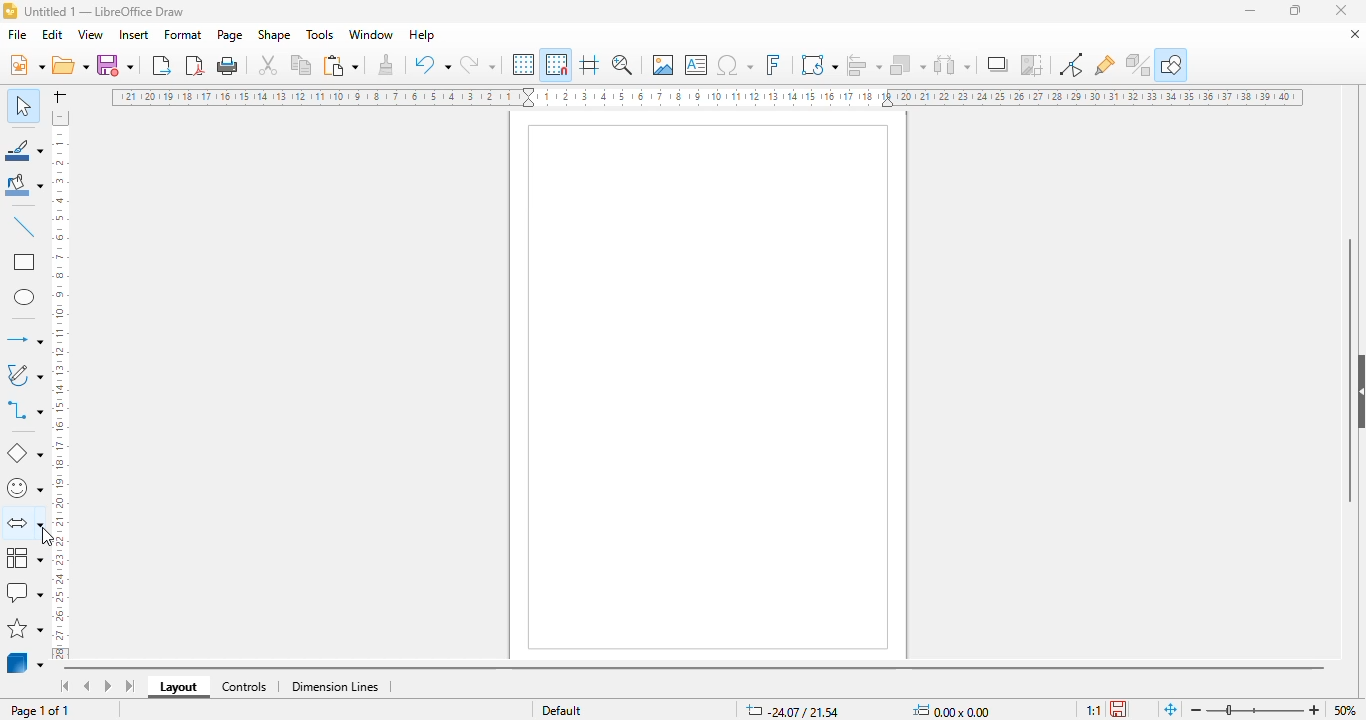  What do you see at coordinates (25, 226) in the screenshot?
I see `insert line` at bounding box center [25, 226].